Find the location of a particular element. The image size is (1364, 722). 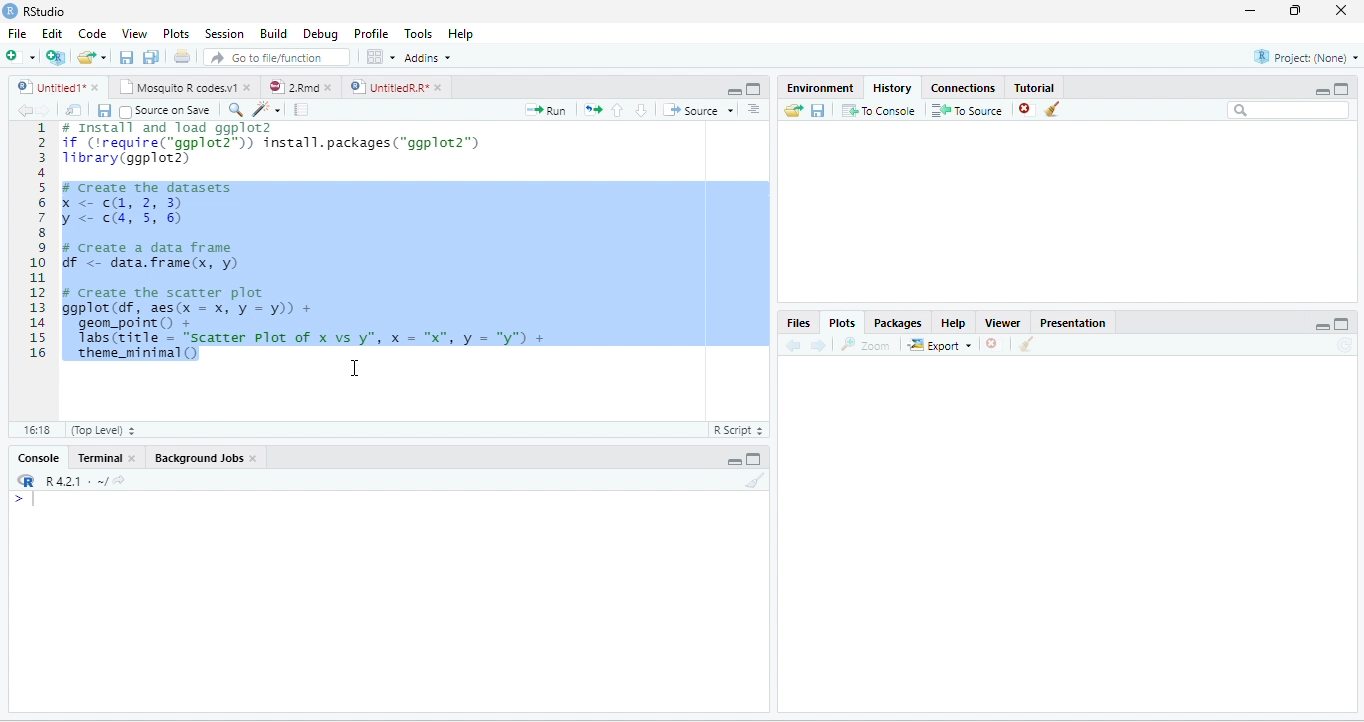

Viewer is located at coordinates (1004, 322).